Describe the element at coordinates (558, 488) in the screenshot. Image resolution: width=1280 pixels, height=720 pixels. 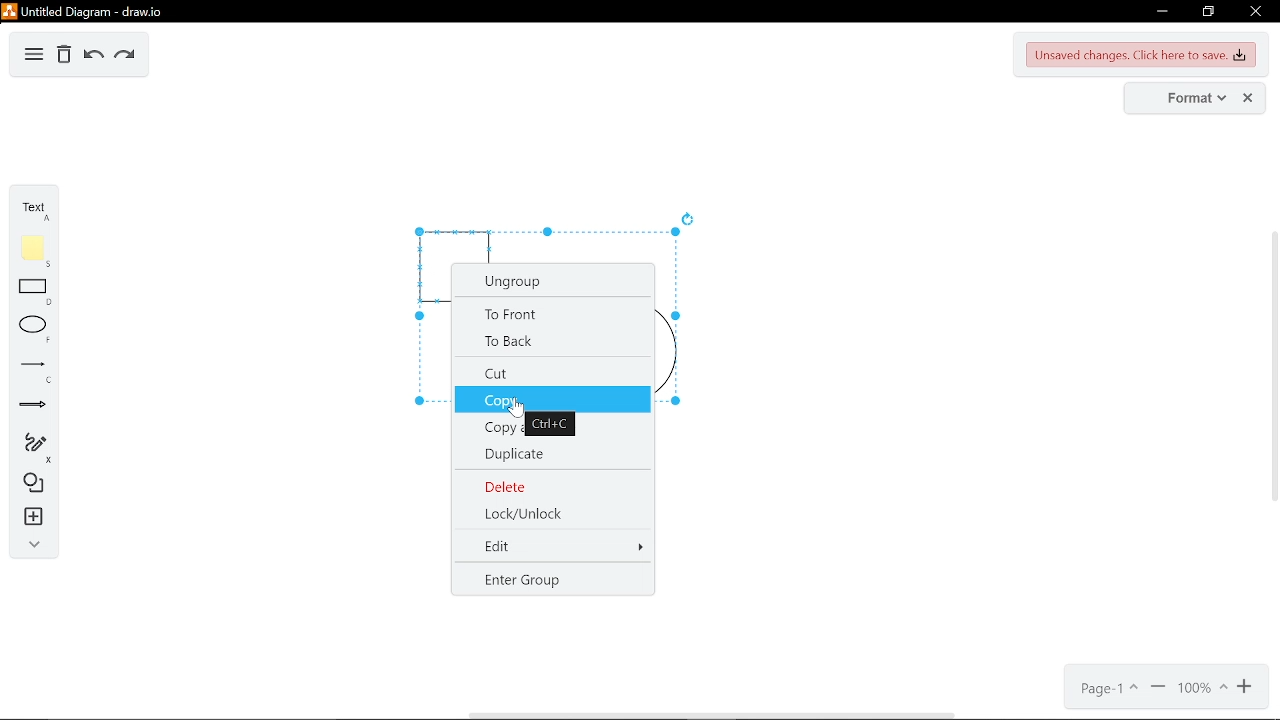
I see `delete` at that location.